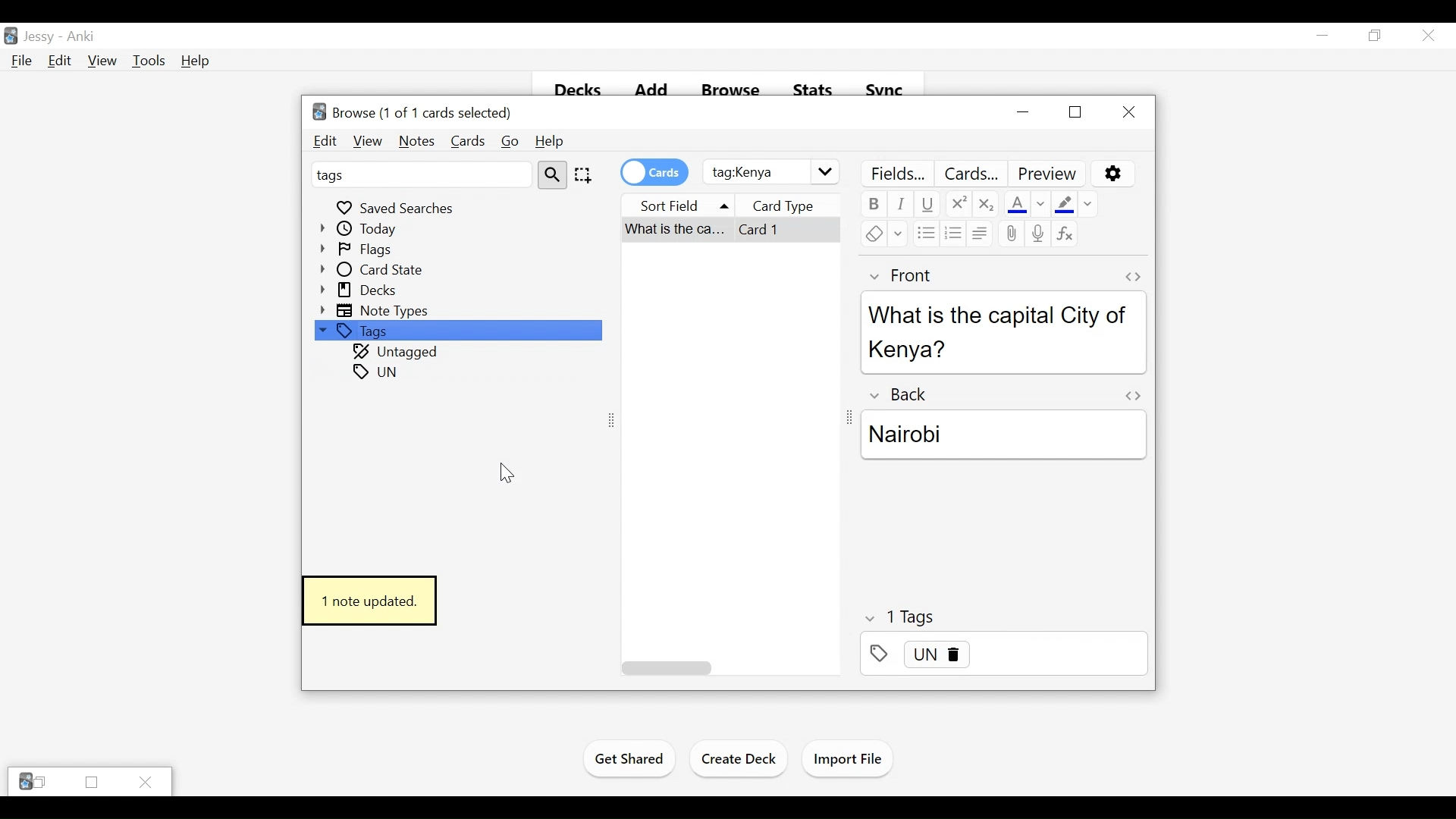 This screenshot has height=819, width=1456. I want to click on Anki Restore tabs, so click(33, 782).